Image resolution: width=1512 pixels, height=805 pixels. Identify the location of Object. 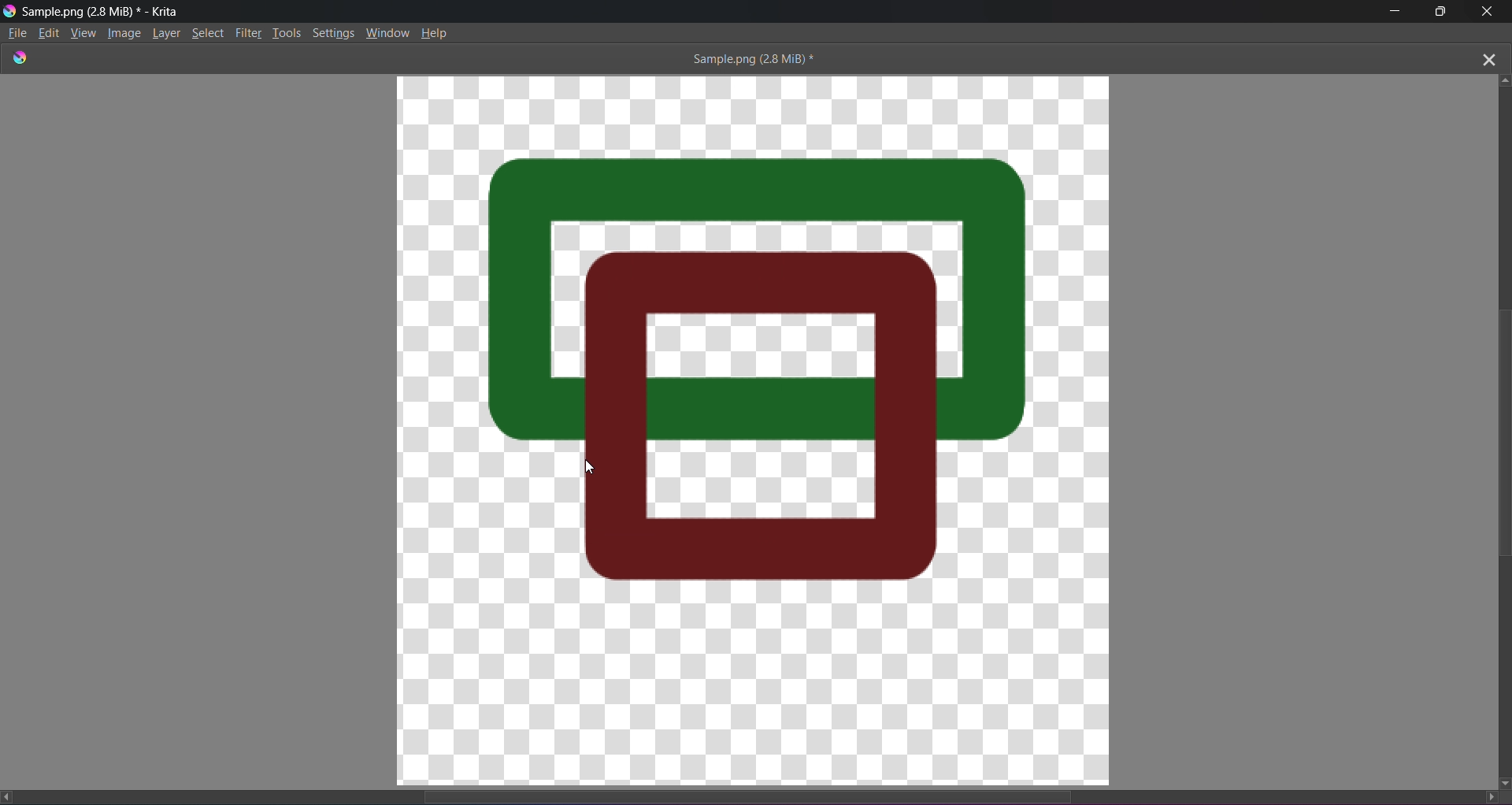
(849, 447).